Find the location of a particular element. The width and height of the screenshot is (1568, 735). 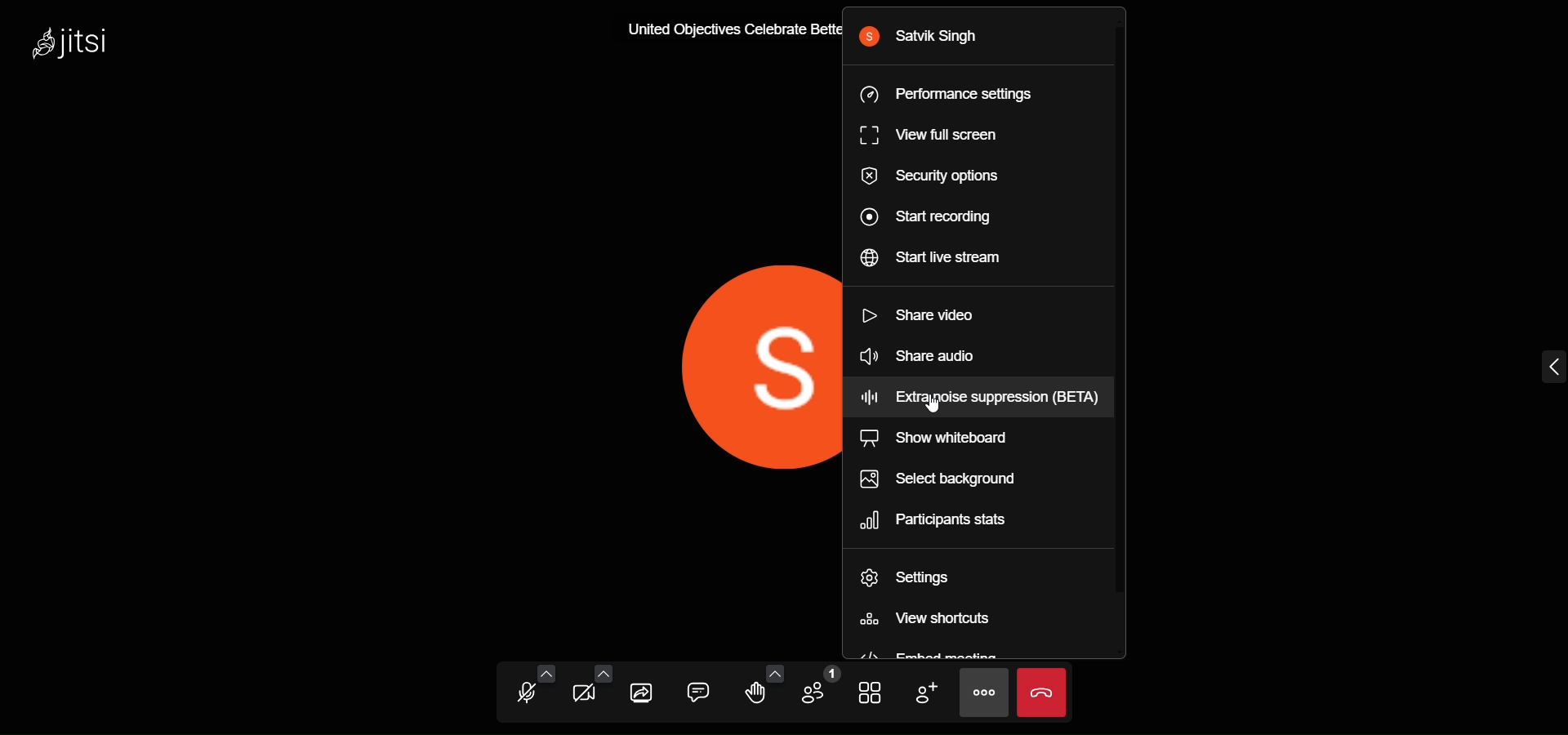

satvik singh is located at coordinates (923, 34).